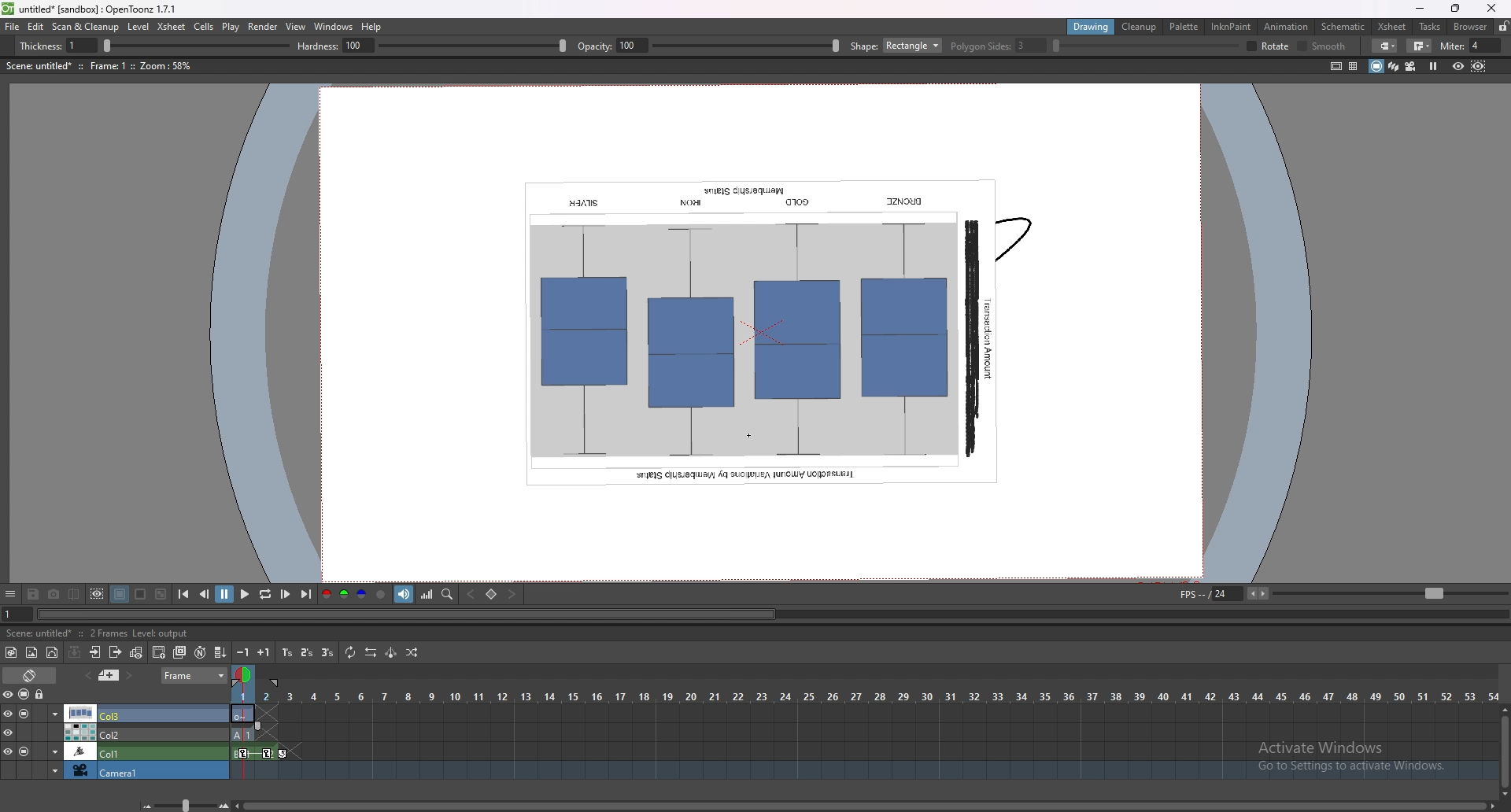 The width and height of the screenshot is (1511, 812). I want to click on pencil mode, so click(1150, 46).